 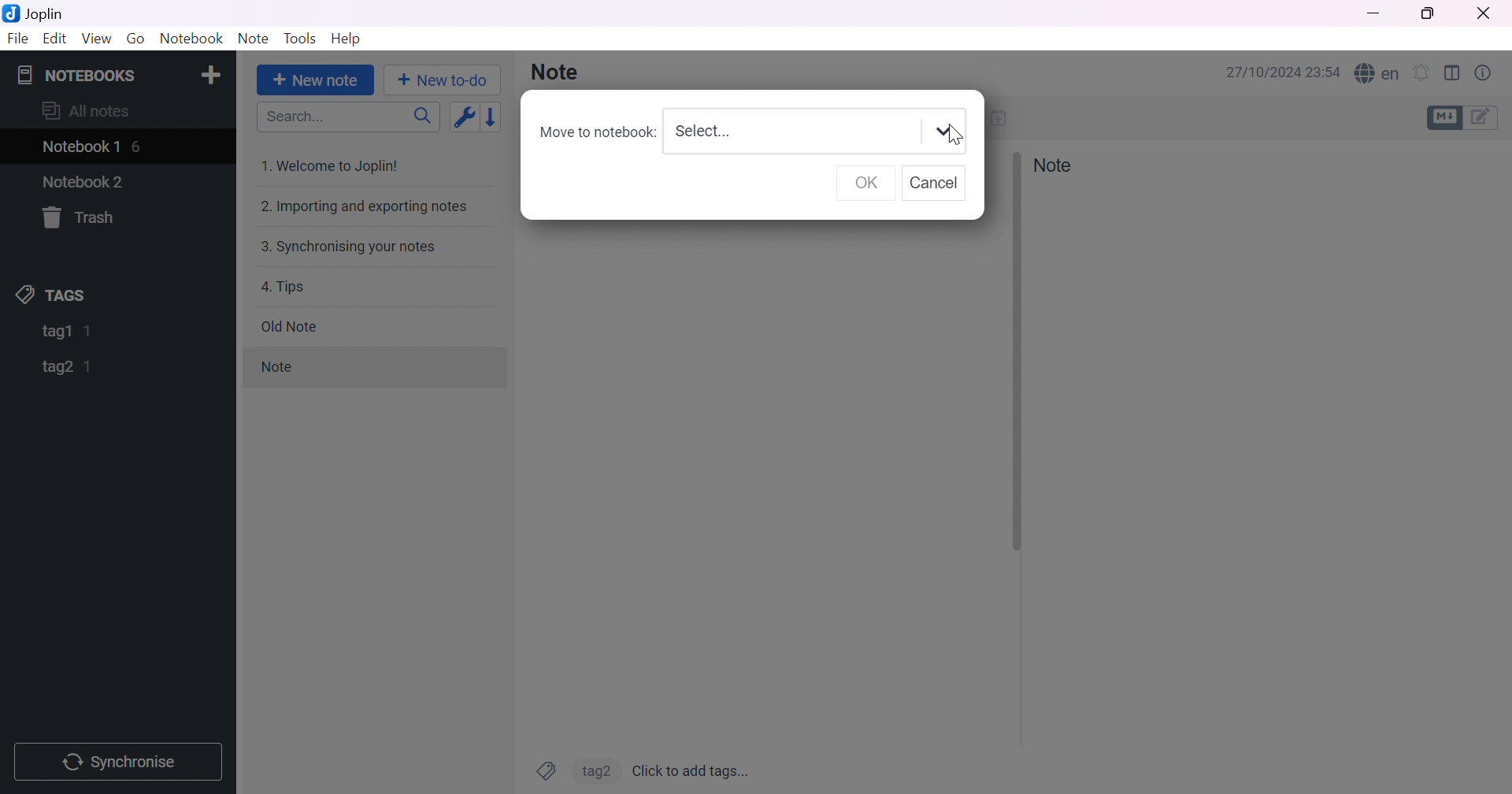 I want to click on Help, so click(x=346, y=40).